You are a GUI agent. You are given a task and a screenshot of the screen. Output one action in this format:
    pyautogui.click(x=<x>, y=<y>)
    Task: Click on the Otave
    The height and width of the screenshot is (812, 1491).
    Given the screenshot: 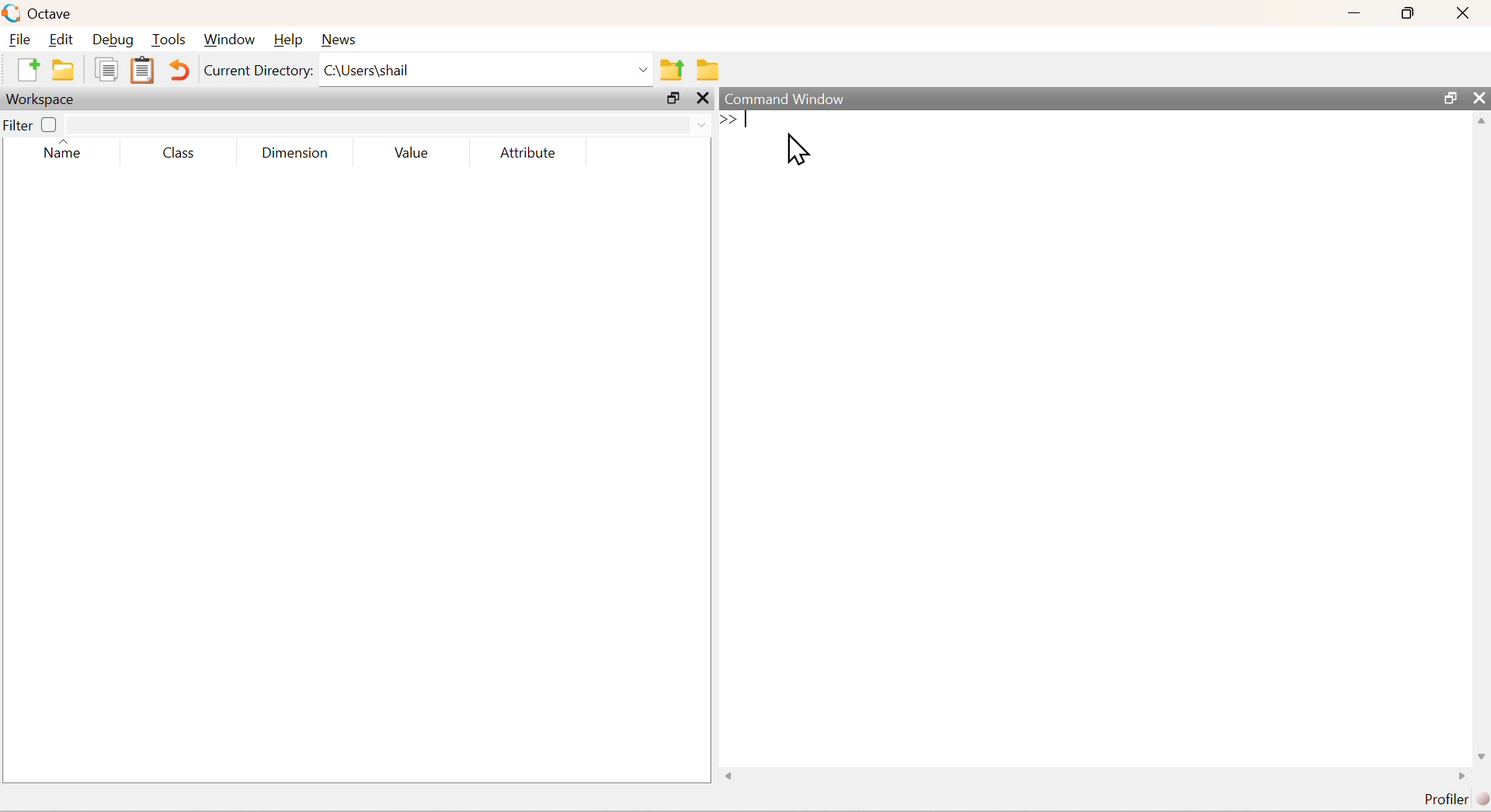 What is the action you would take?
    pyautogui.click(x=54, y=14)
    